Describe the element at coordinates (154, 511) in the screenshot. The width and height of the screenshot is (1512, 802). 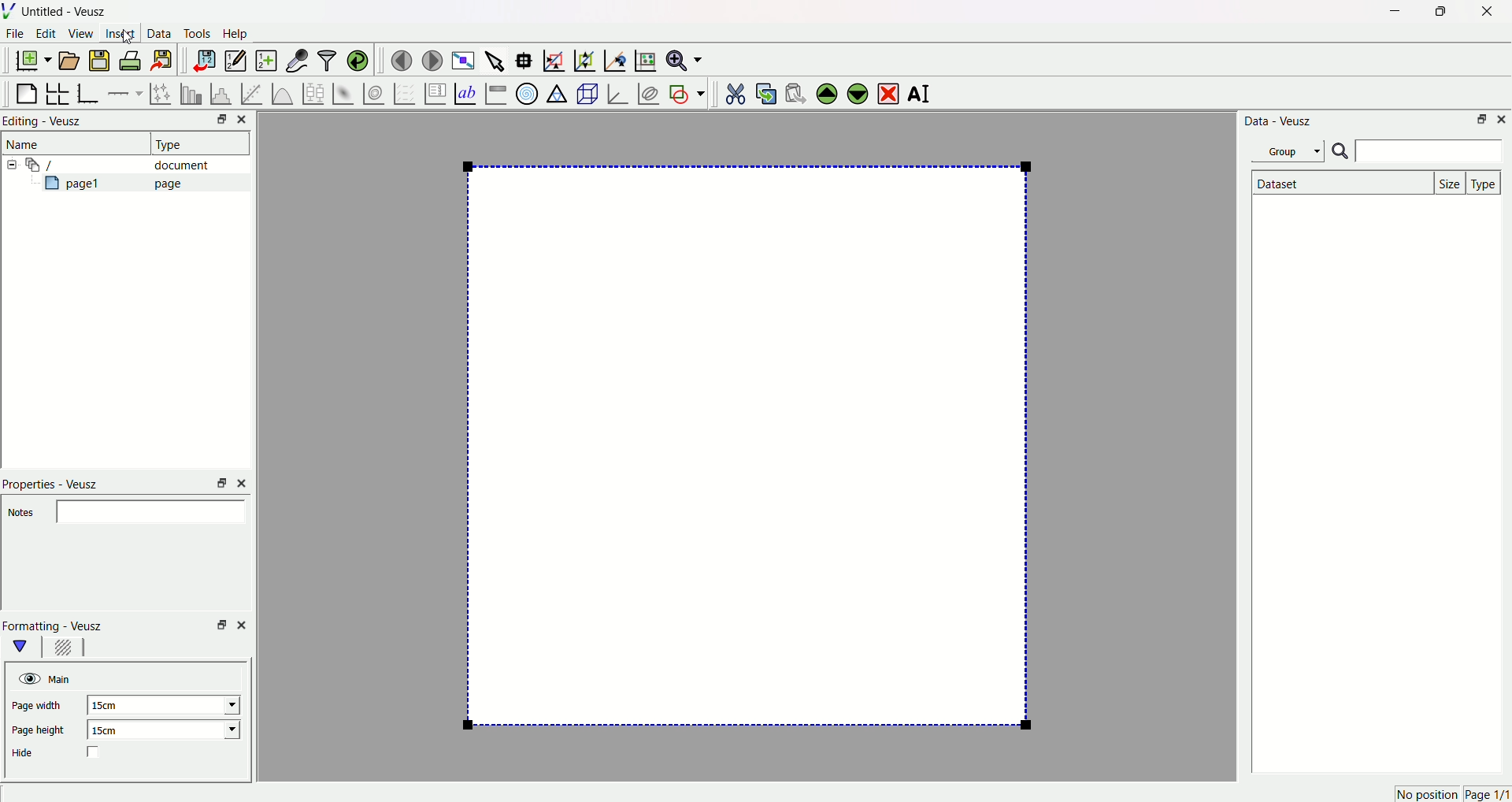
I see `enter notes field` at that location.